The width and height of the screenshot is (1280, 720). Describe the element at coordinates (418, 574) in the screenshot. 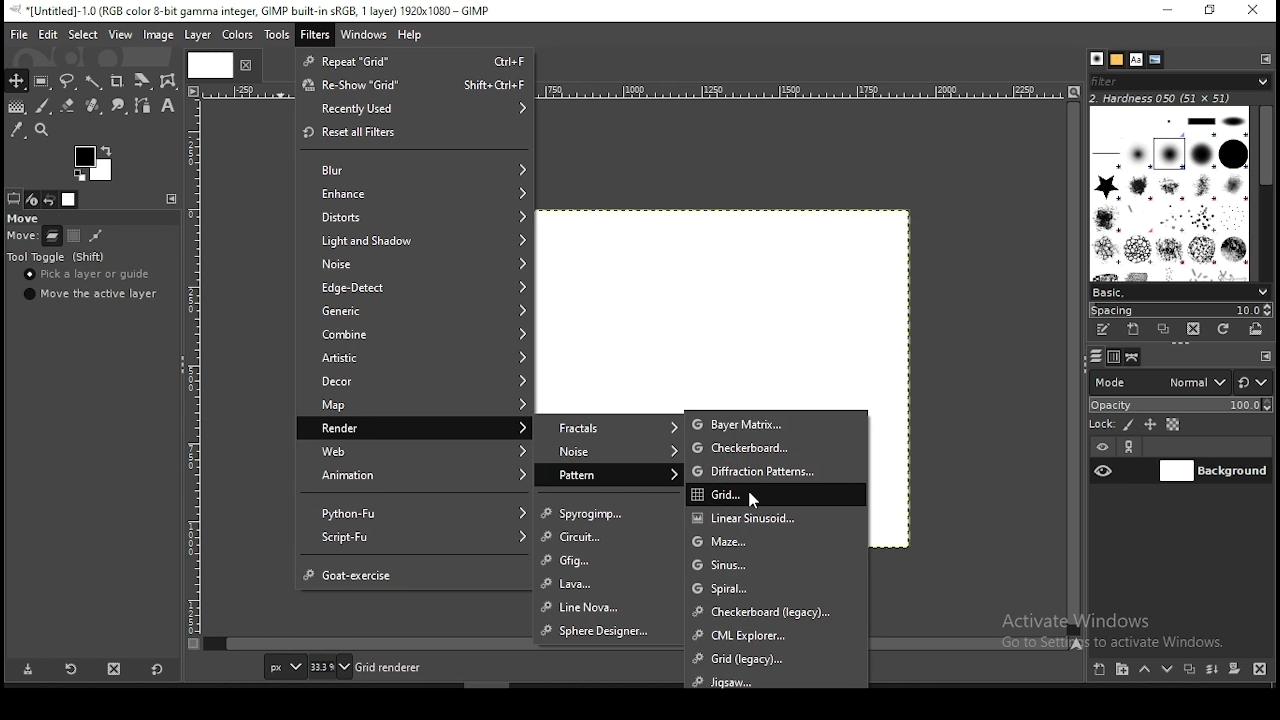

I see `goat exercise` at that location.